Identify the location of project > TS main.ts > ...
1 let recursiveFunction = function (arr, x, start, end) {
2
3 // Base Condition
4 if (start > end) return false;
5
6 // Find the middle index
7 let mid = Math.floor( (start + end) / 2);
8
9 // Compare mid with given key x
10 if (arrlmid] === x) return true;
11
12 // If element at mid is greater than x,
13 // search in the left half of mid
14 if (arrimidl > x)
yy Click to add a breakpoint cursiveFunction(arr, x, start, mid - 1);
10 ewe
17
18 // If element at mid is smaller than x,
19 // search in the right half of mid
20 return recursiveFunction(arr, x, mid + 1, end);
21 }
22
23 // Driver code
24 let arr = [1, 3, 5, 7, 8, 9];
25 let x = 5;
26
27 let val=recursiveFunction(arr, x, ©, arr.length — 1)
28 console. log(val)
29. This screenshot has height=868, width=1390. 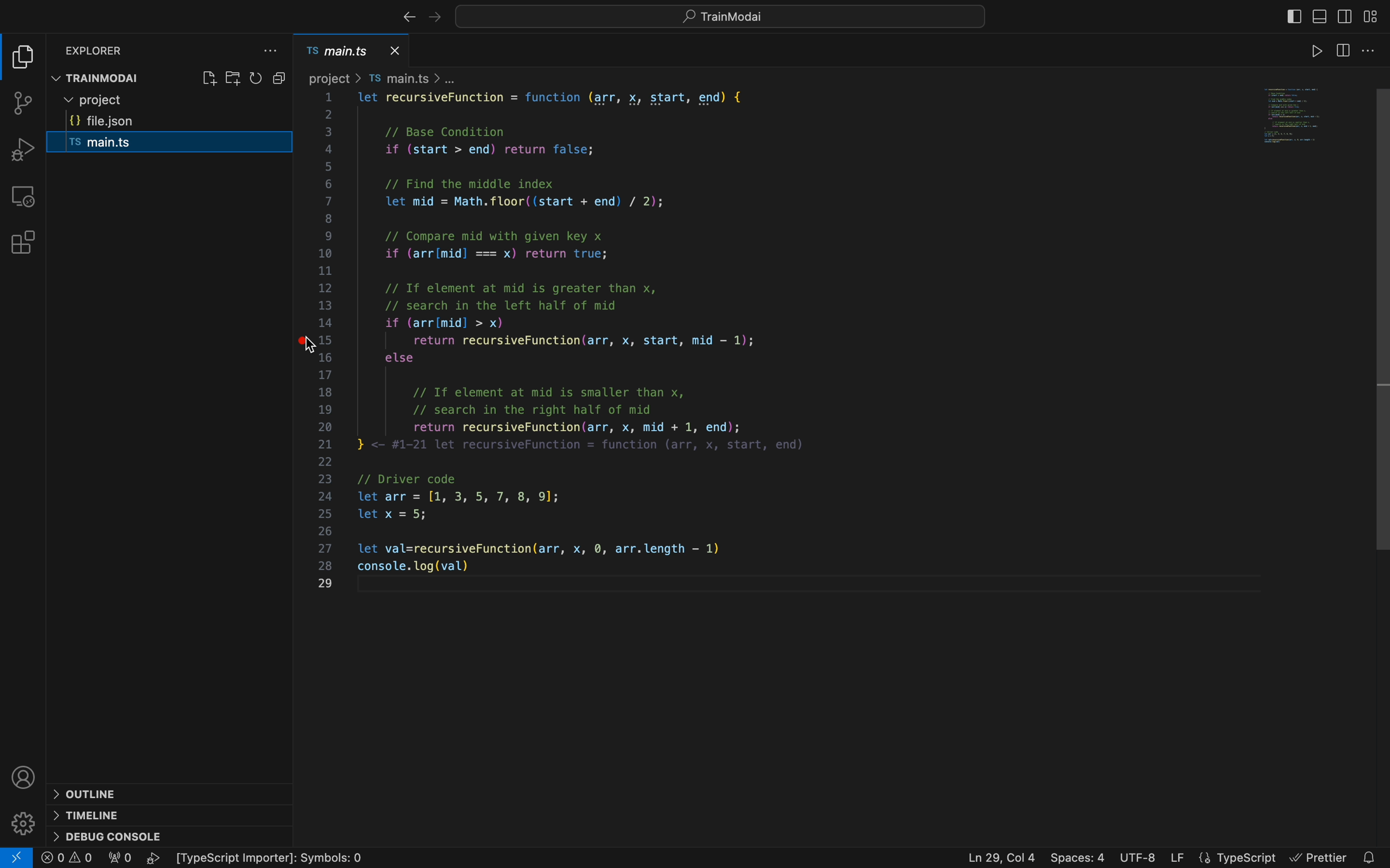
(693, 336).